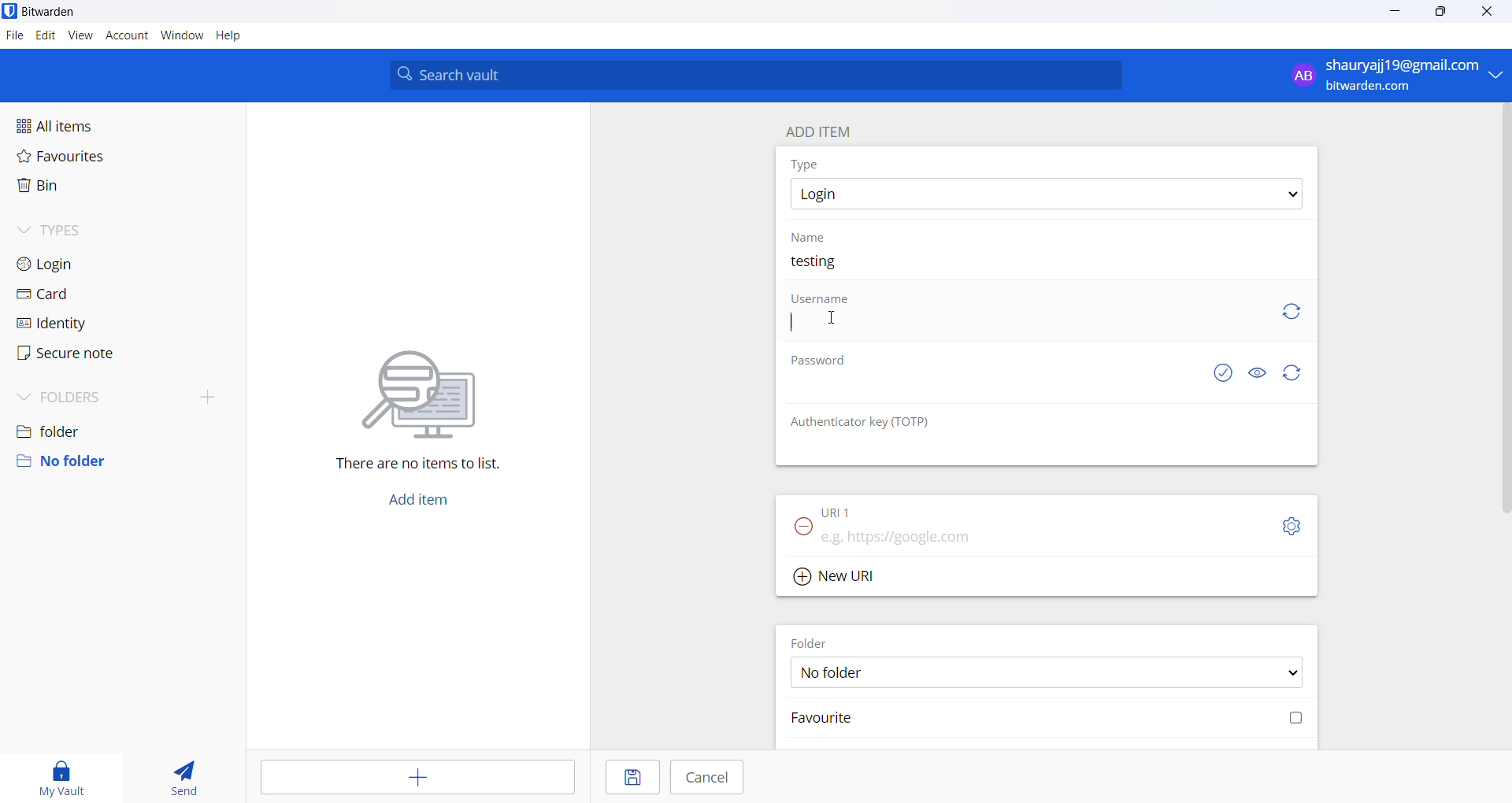 This screenshot has width=1512, height=803. I want to click on help, so click(231, 37).